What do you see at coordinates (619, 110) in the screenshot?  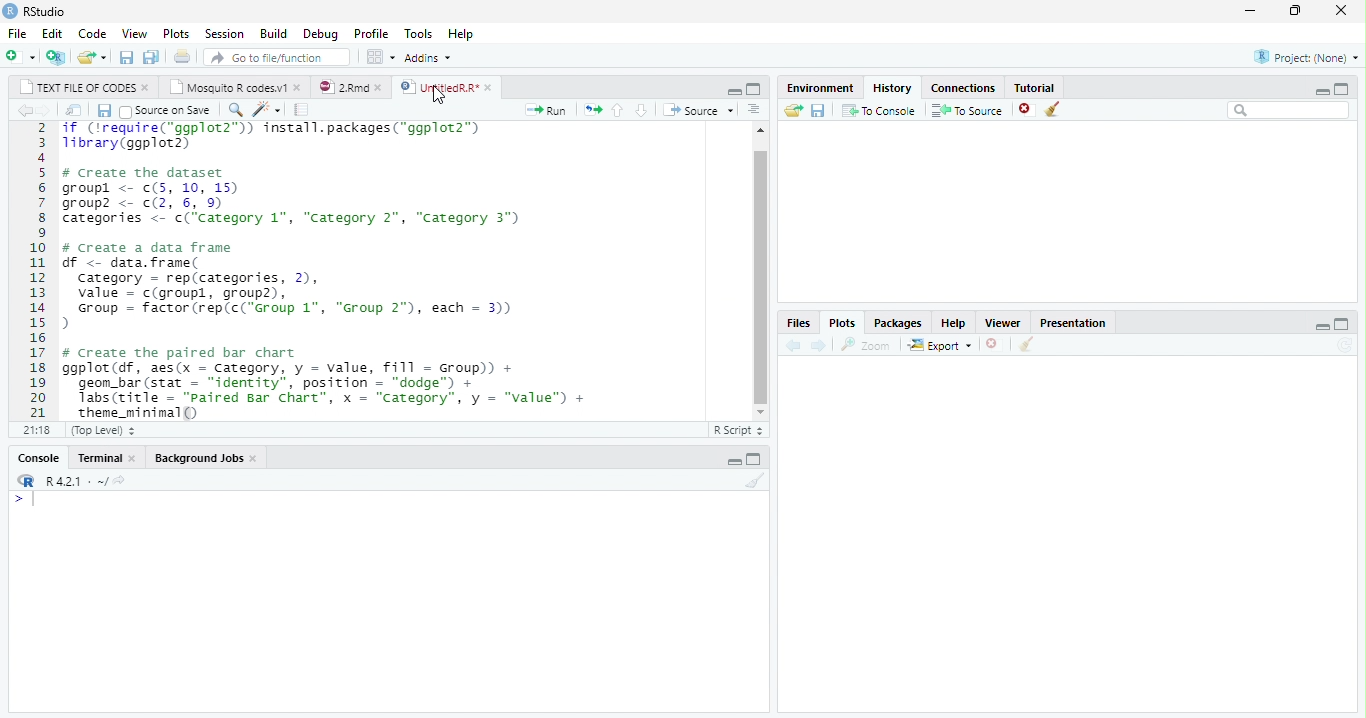 I see `go to previous section` at bounding box center [619, 110].